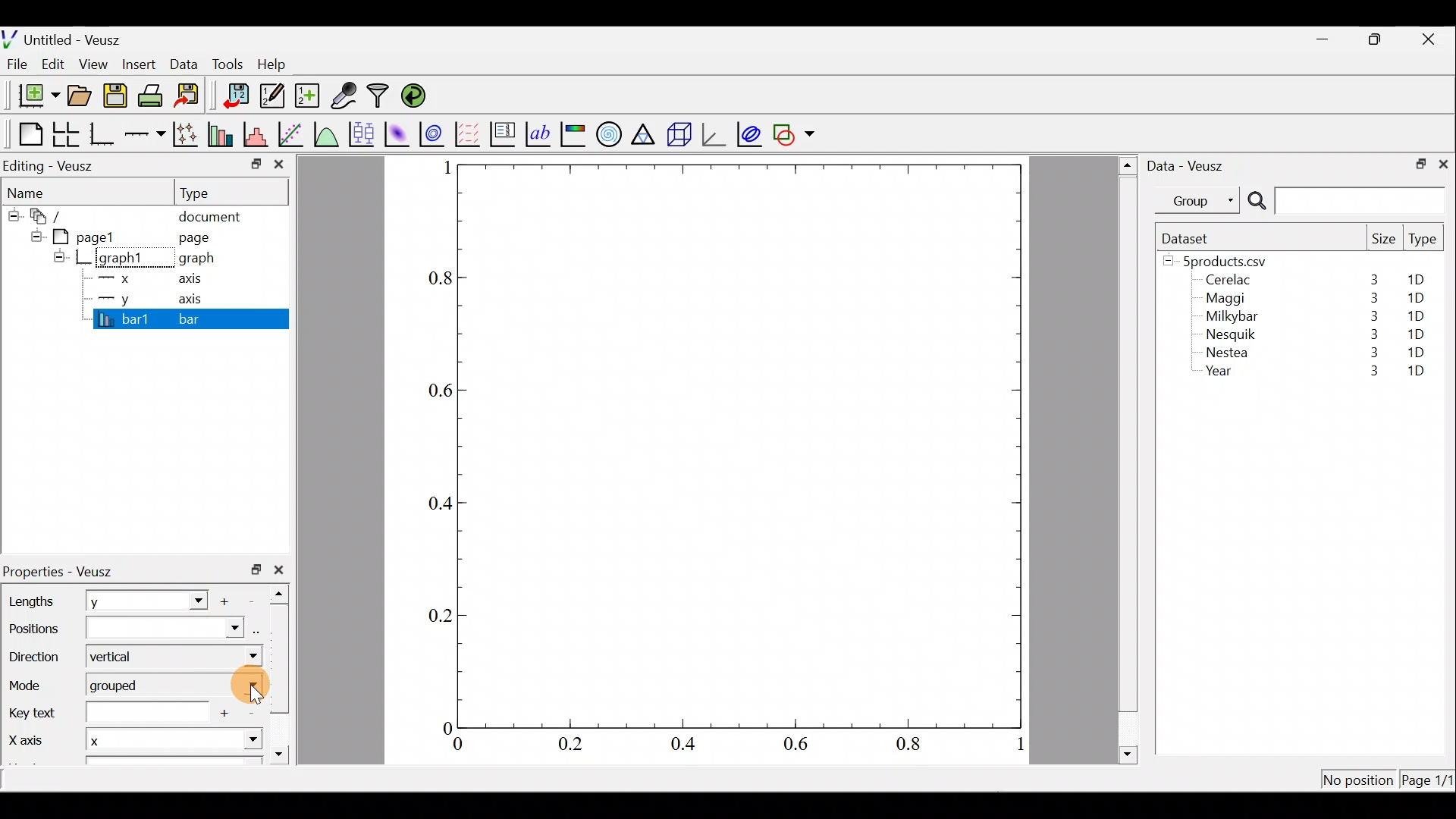 The height and width of the screenshot is (819, 1456). What do you see at coordinates (59, 256) in the screenshot?
I see `hide` at bounding box center [59, 256].